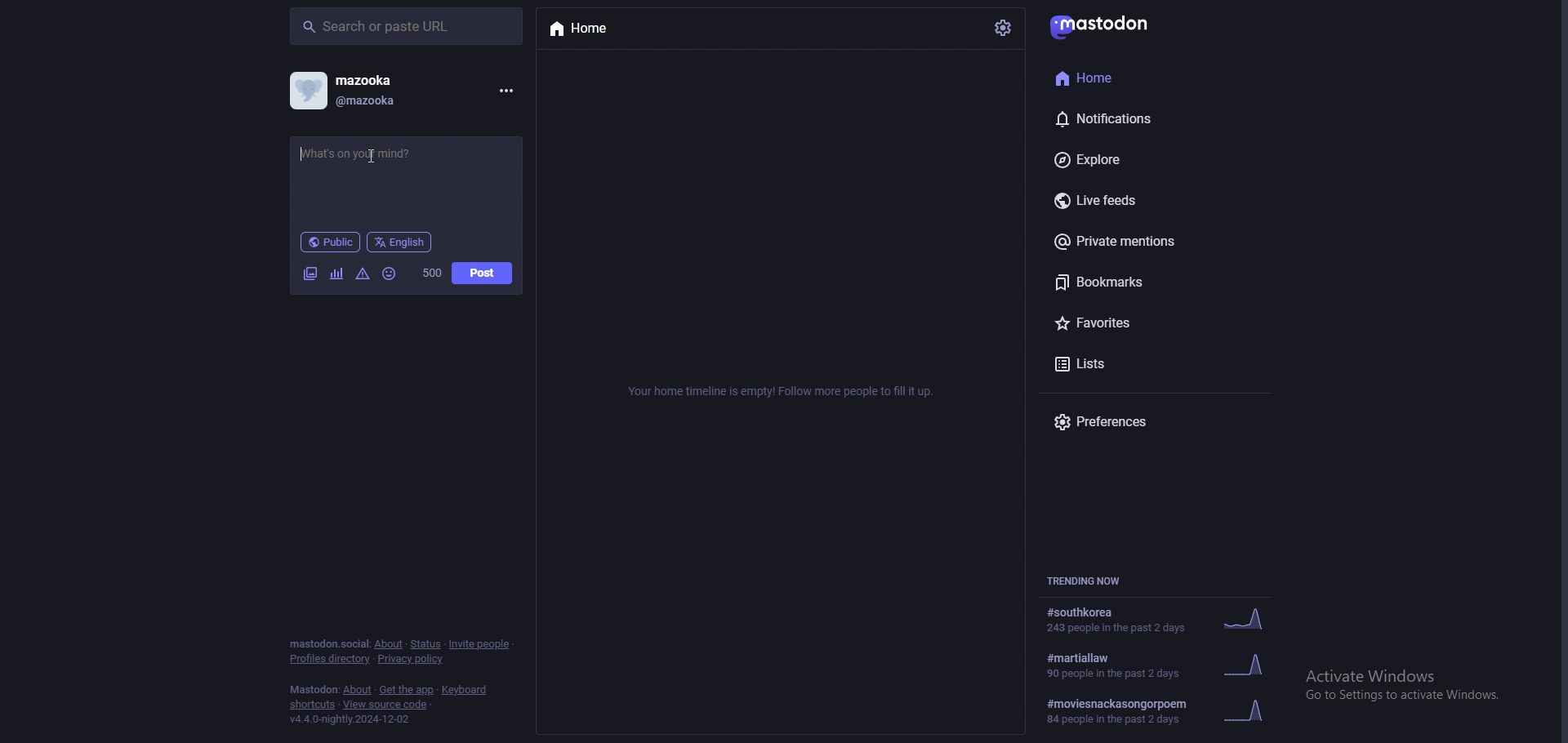 The height and width of the screenshot is (743, 1568). I want to click on #moviesnackasongorpoem, so click(1170, 709).